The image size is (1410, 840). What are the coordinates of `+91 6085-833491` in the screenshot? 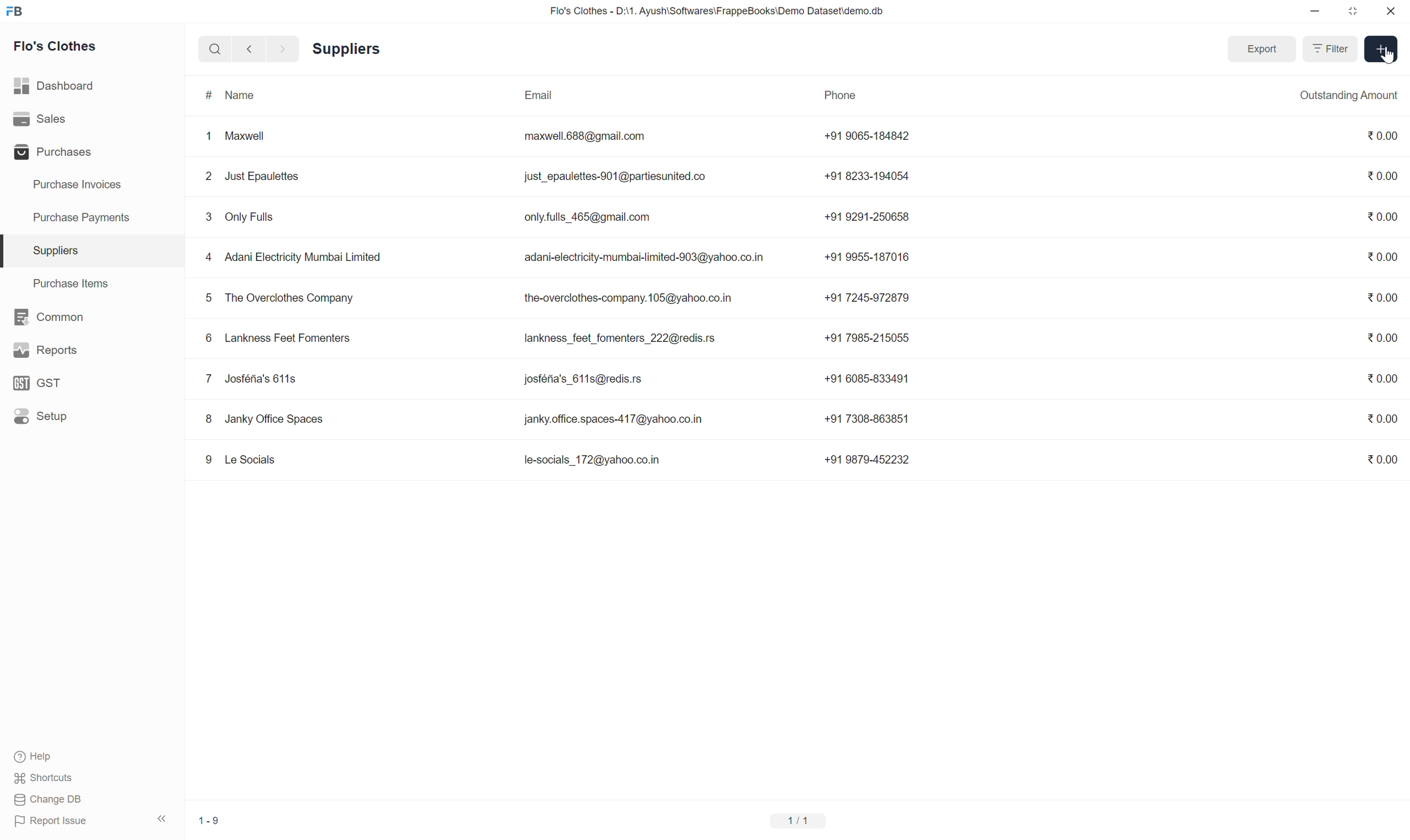 It's located at (868, 379).